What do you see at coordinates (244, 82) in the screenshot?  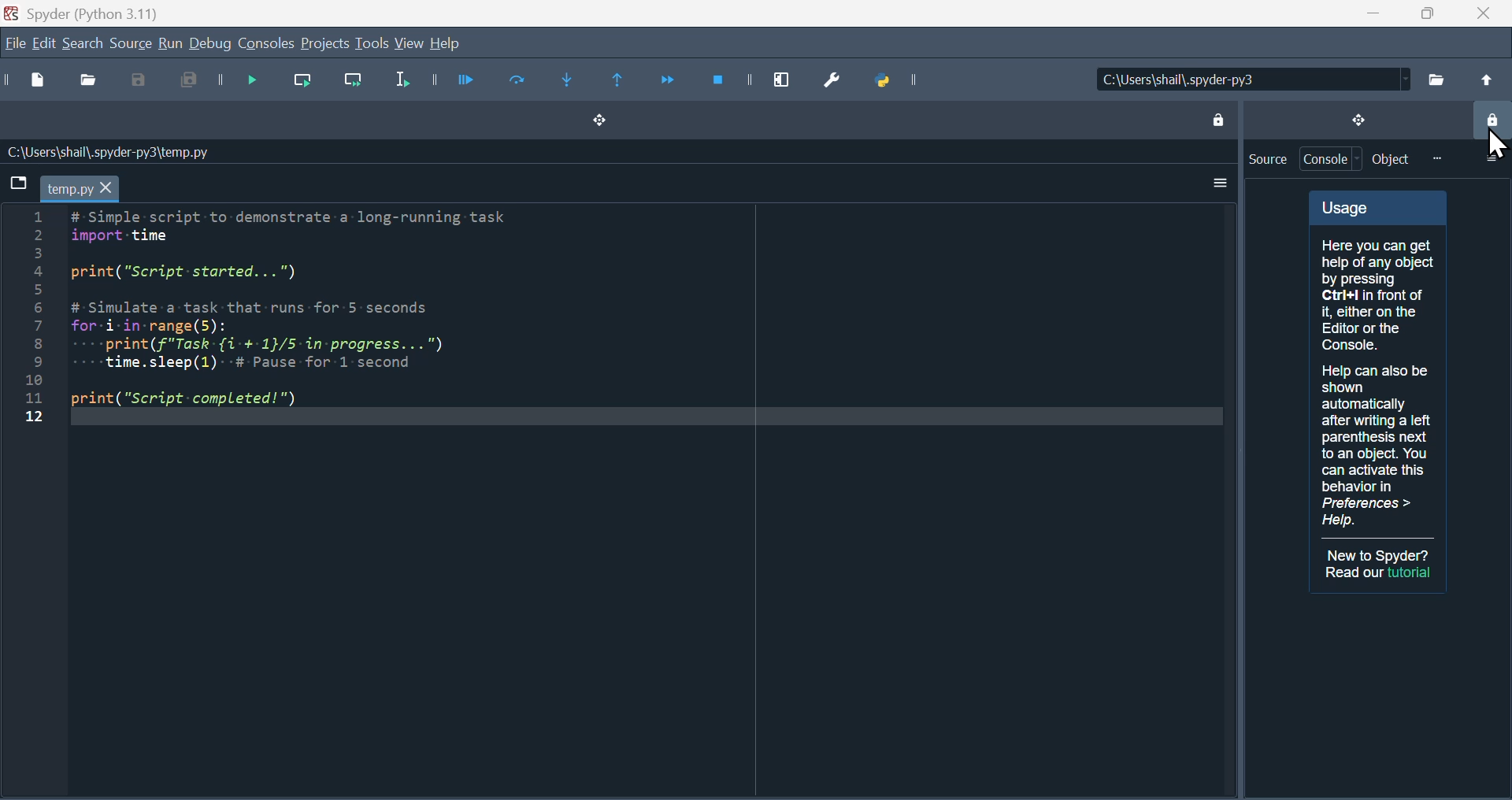 I see `Debug file` at bounding box center [244, 82].